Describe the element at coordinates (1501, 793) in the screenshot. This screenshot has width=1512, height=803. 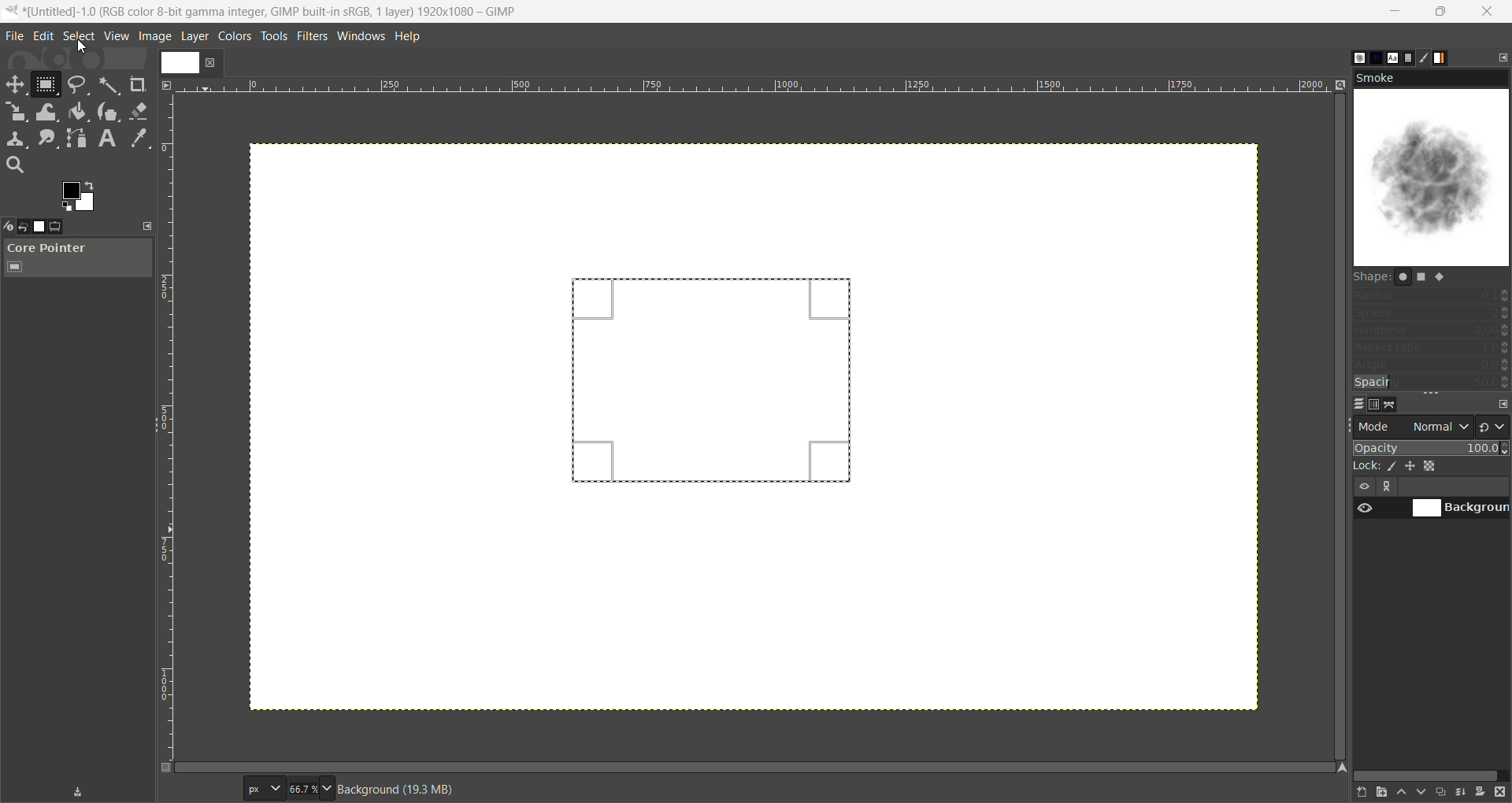
I see `delete this layer` at that location.